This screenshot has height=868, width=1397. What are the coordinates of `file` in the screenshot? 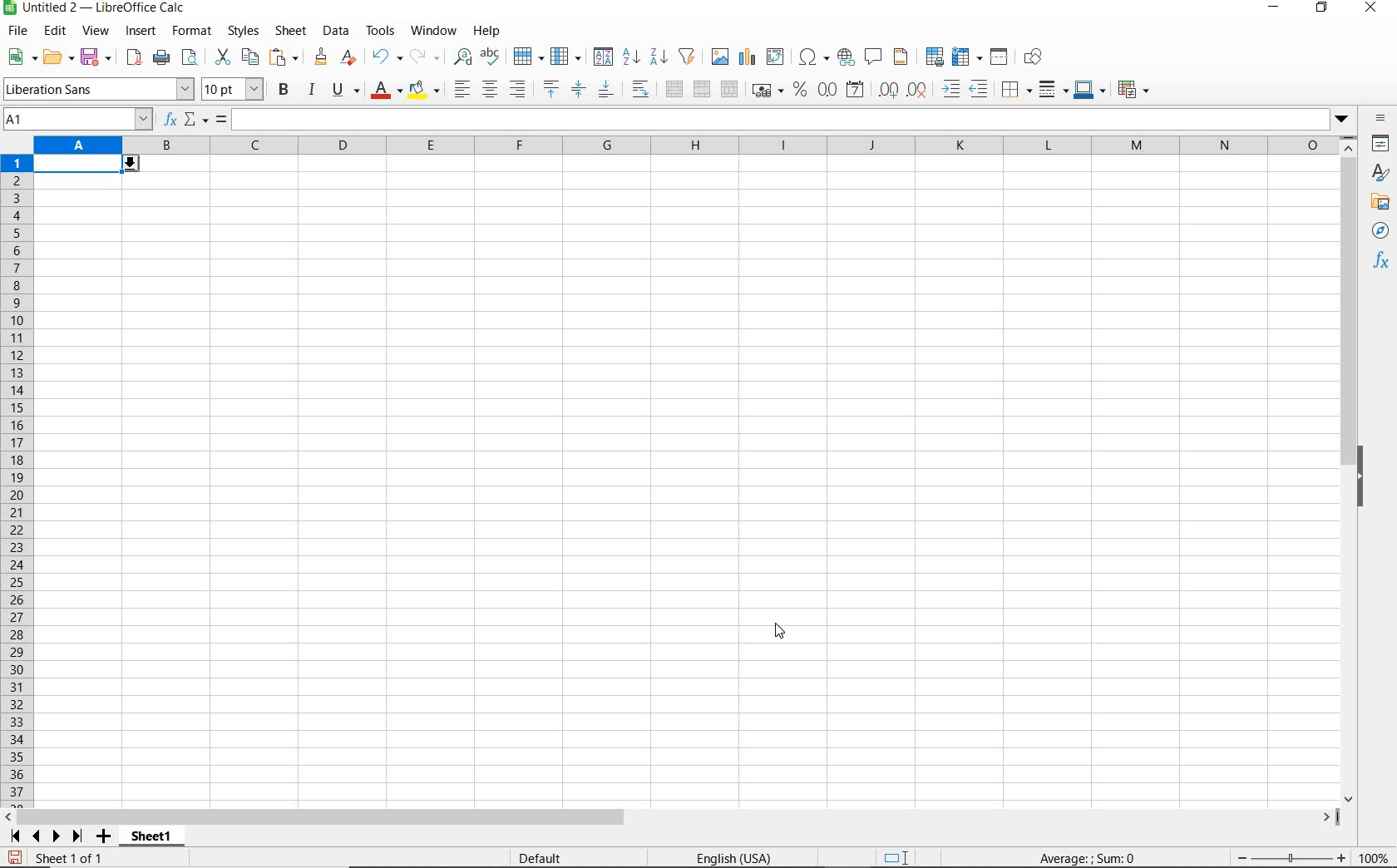 It's located at (15, 33).